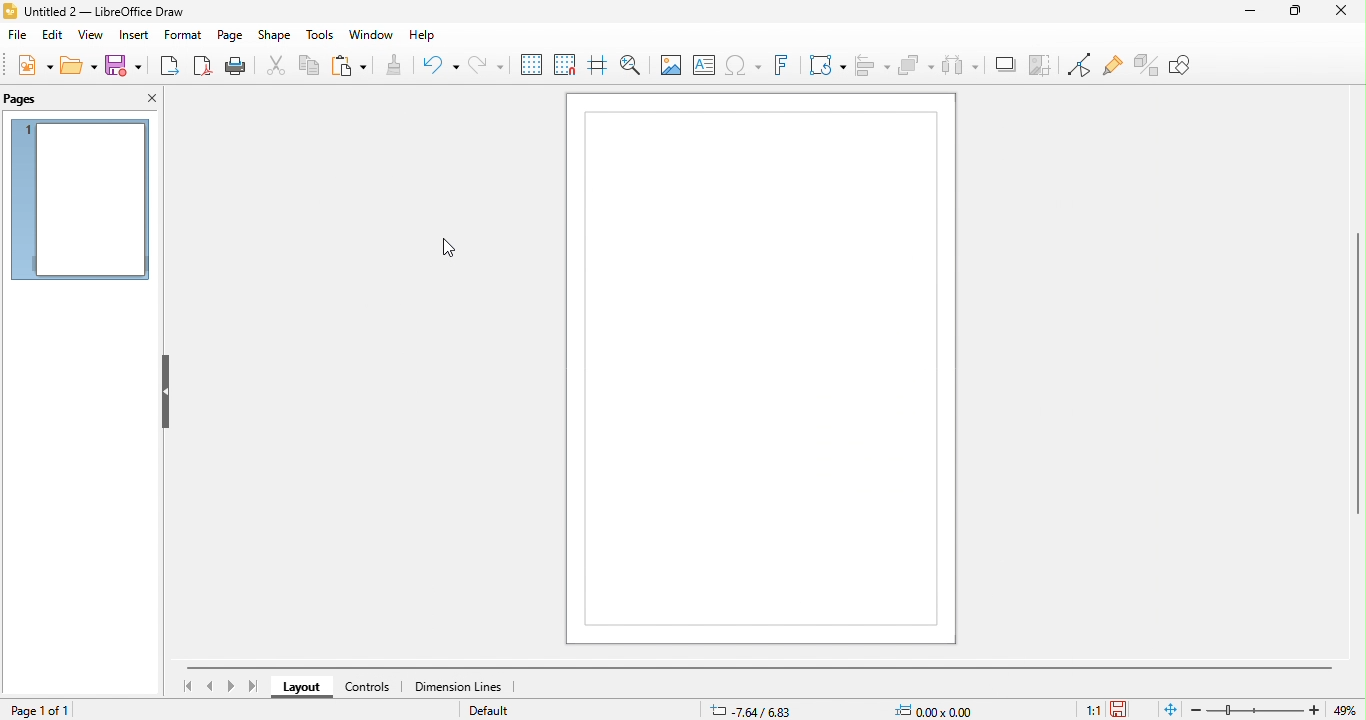  Describe the element at coordinates (1112, 67) in the screenshot. I see `show gulepoint functions` at that location.